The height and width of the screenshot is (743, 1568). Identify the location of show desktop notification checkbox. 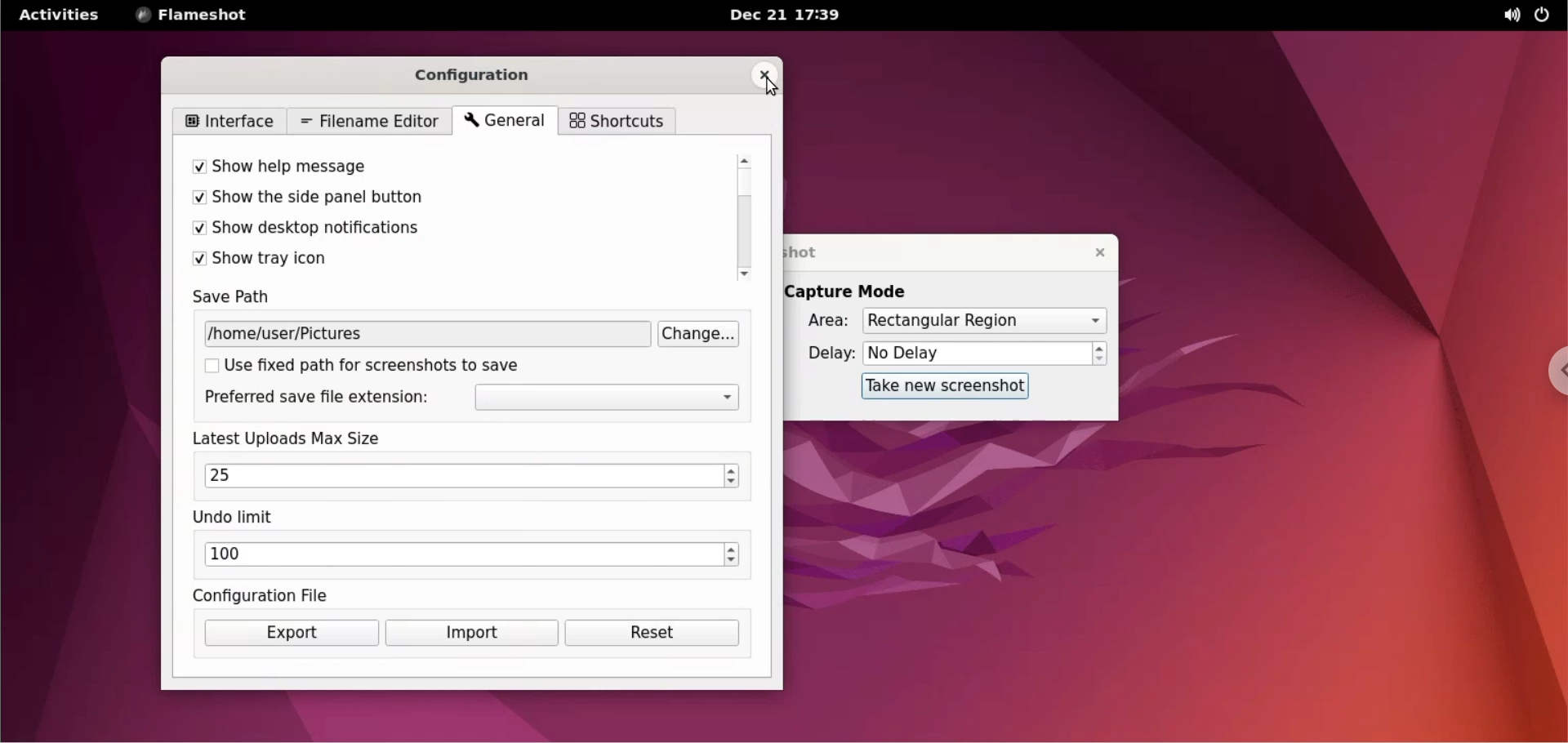
(430, 229).